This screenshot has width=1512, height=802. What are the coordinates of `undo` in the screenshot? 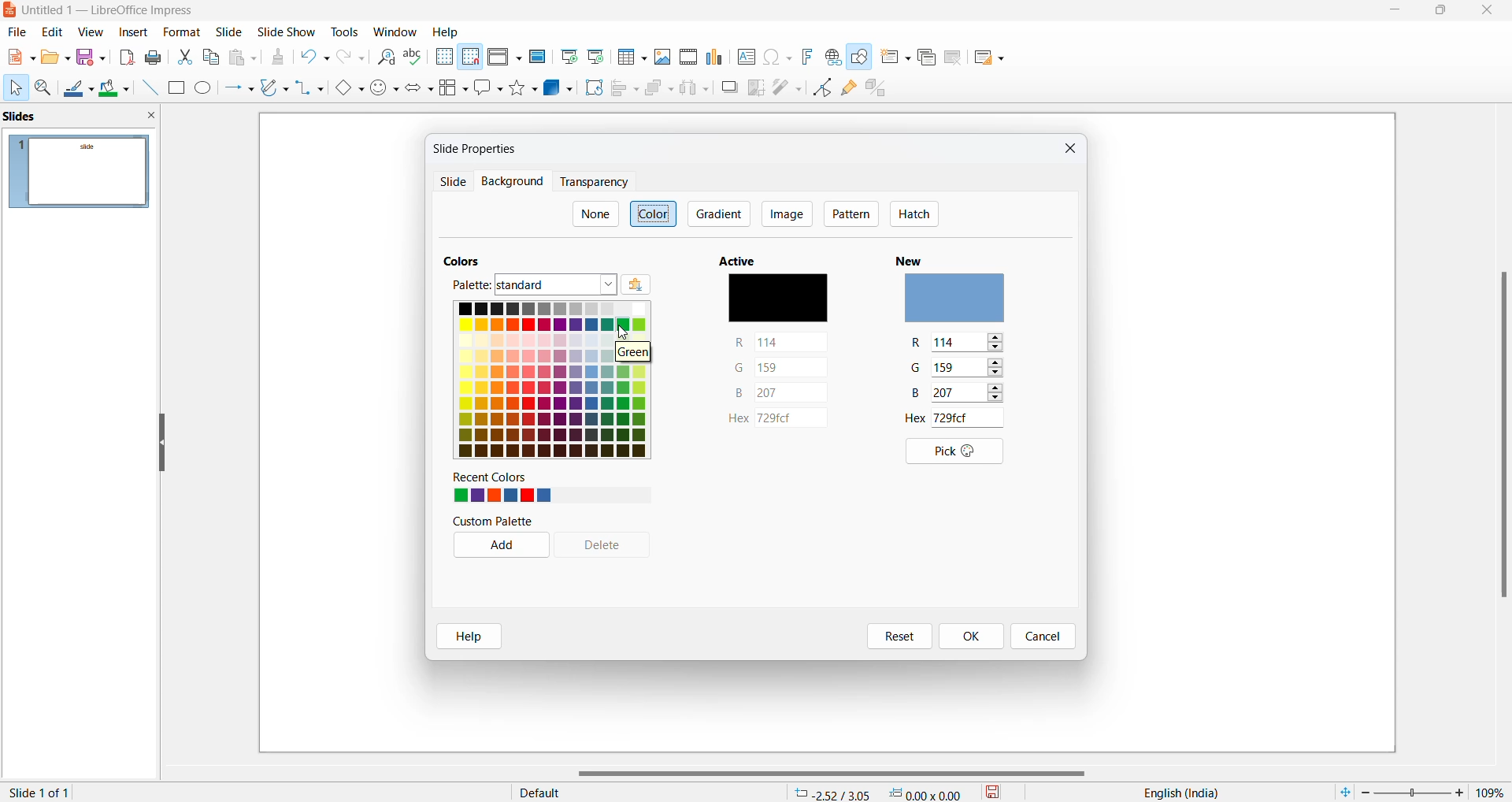 It's located at (317, 59).